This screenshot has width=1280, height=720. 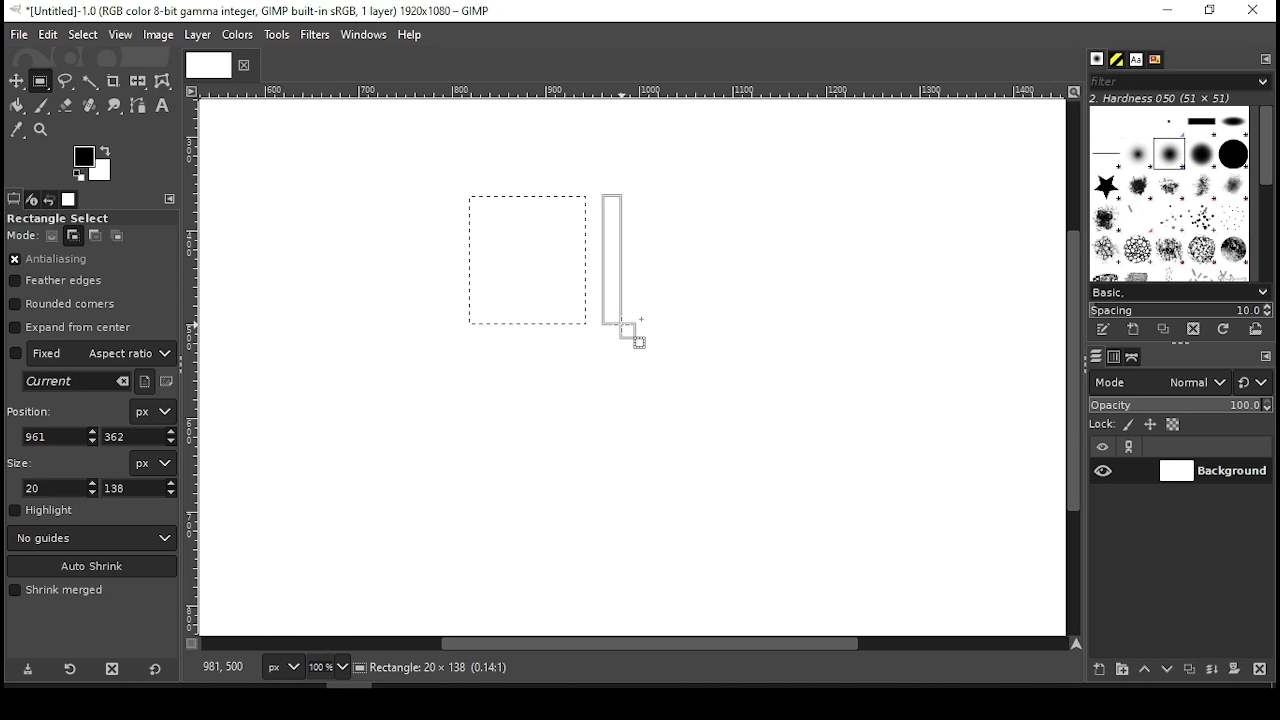 I want to click on crop  tool, so click(x=113, y=82).